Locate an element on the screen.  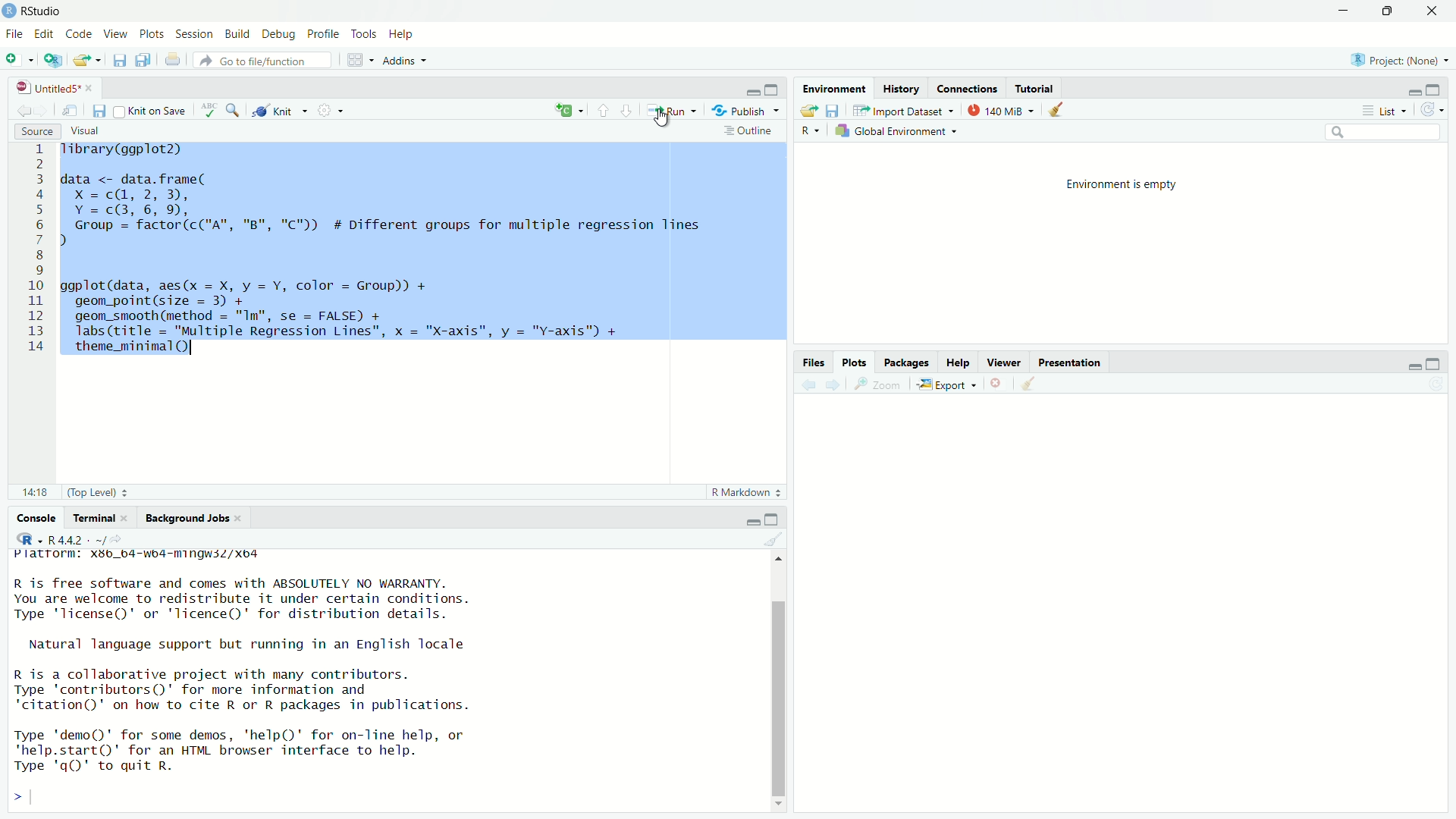
minimise is located at coordinates (1399, 362).